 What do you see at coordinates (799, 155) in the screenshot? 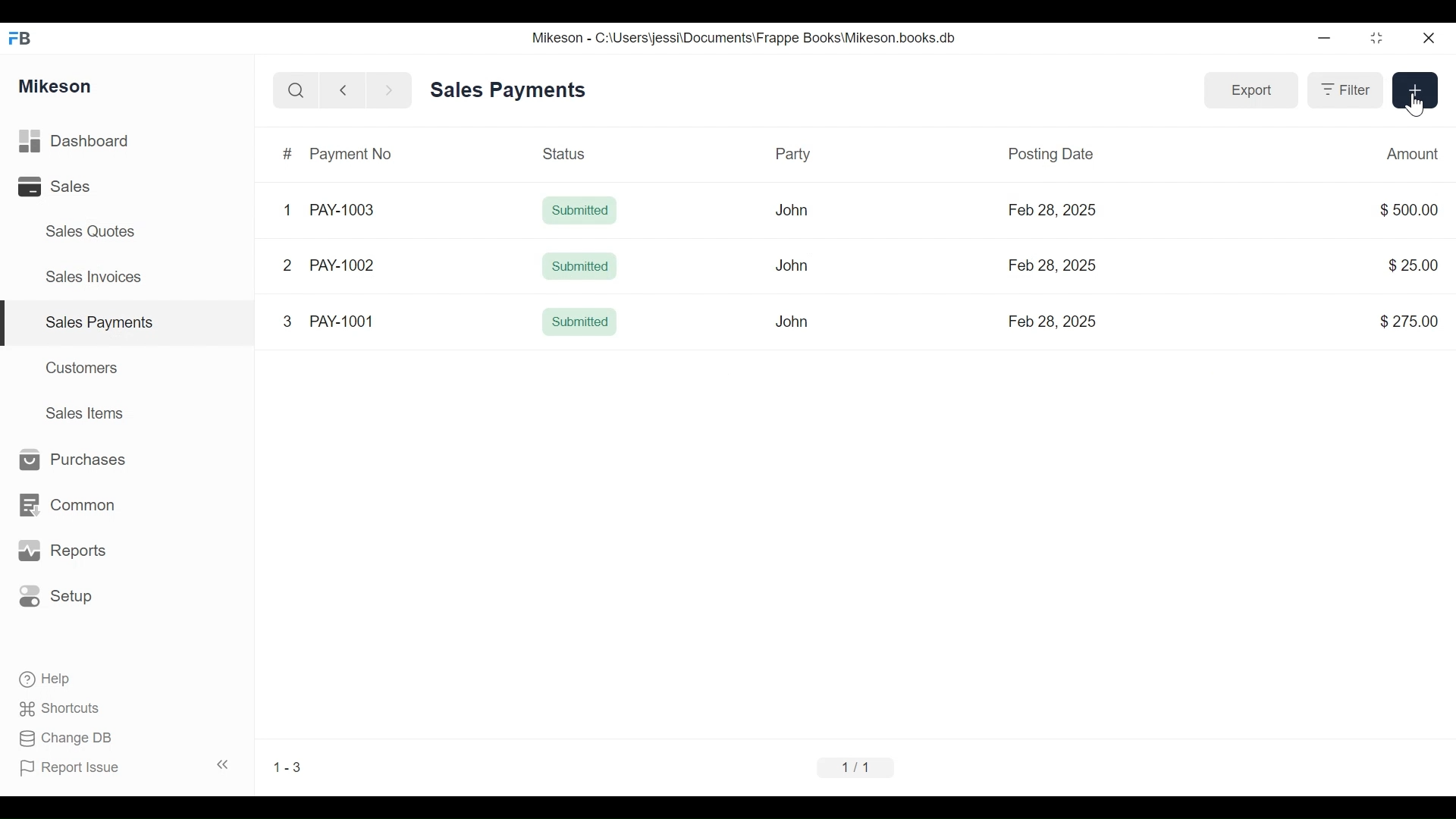
I see `Party` at bounding box center [799, 155].